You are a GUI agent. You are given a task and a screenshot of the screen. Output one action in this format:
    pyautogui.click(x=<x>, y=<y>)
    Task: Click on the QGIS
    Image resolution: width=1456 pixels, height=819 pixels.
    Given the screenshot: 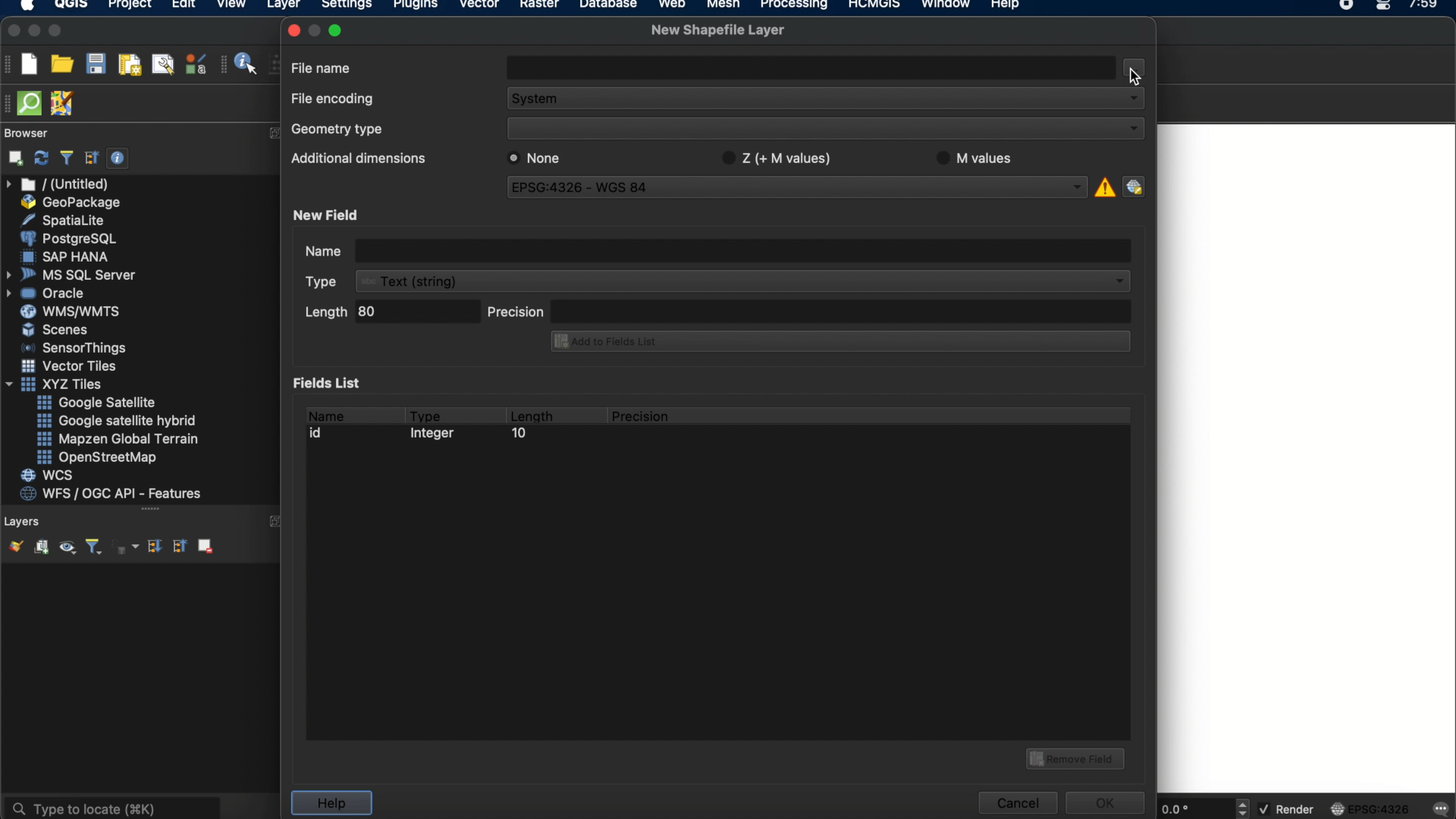 What is the action you would take?
    pyautogui.click(x=72, y=6)
    